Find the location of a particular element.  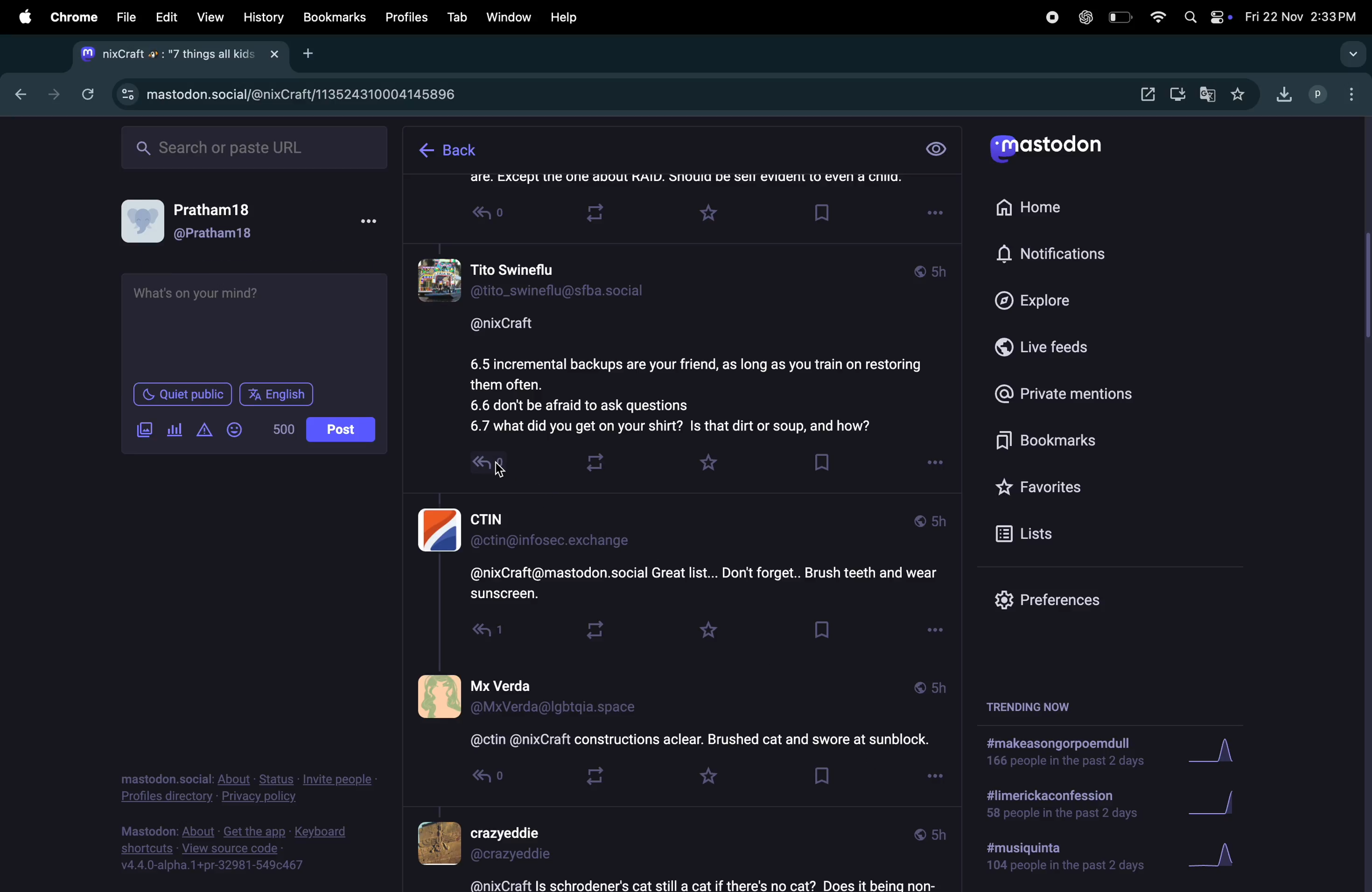

options is located at coordinates (932, 466).